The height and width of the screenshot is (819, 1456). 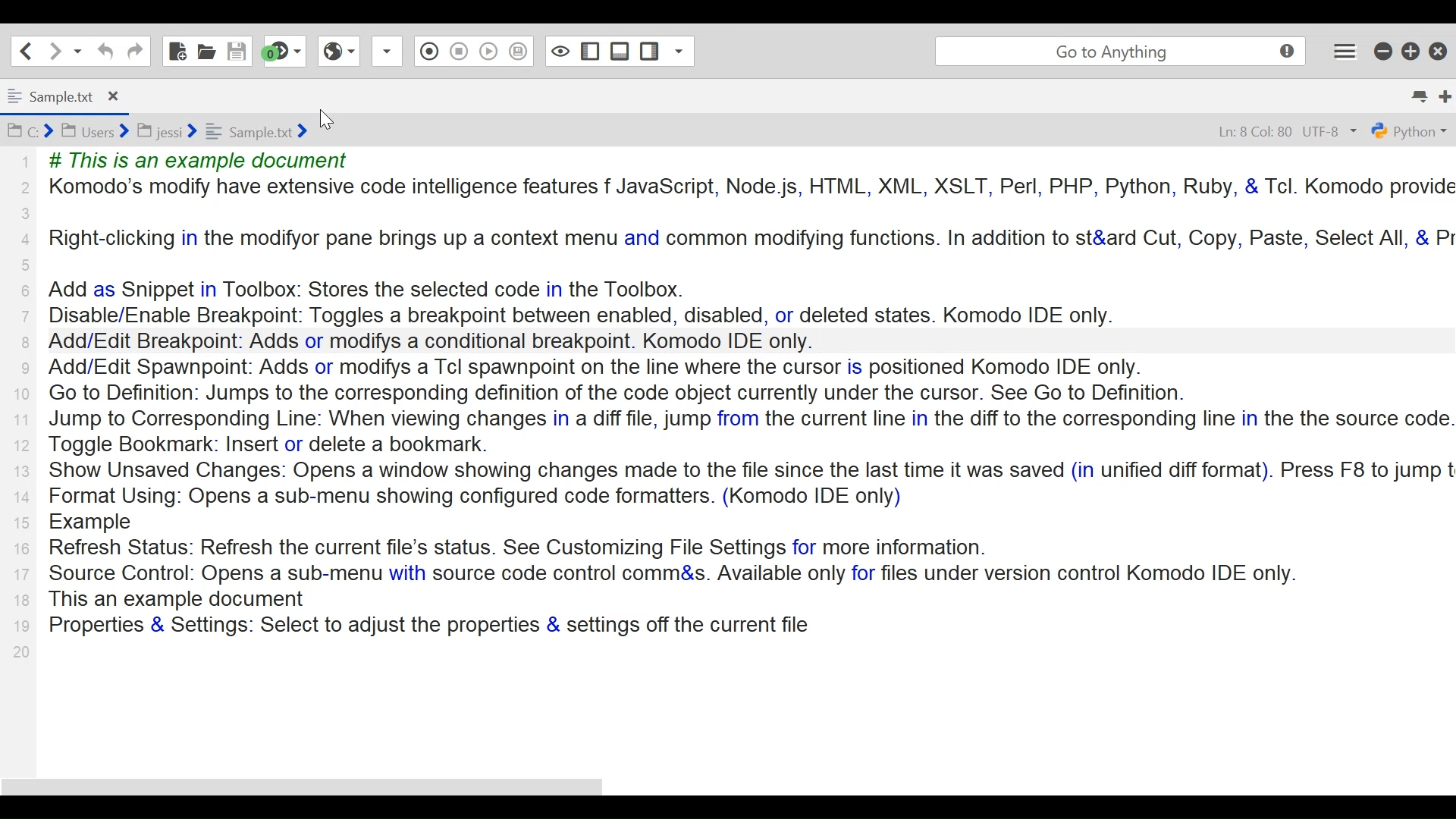 What do you see at coordinates (179, 50) in the screenshot?
I see `New File` at bounding box center [179, 50].